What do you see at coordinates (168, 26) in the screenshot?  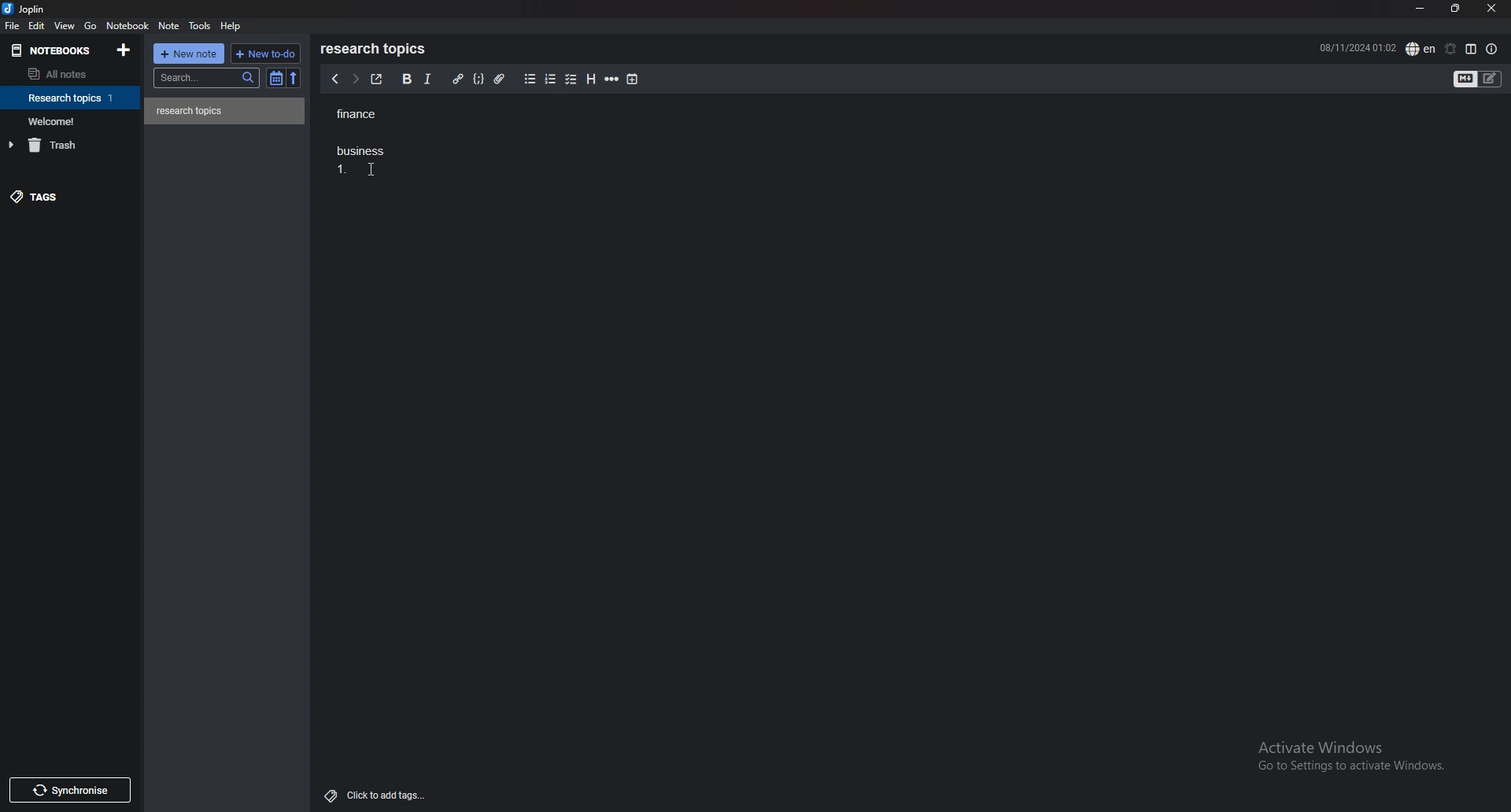 I see `note` at bounding box center [168, 26].